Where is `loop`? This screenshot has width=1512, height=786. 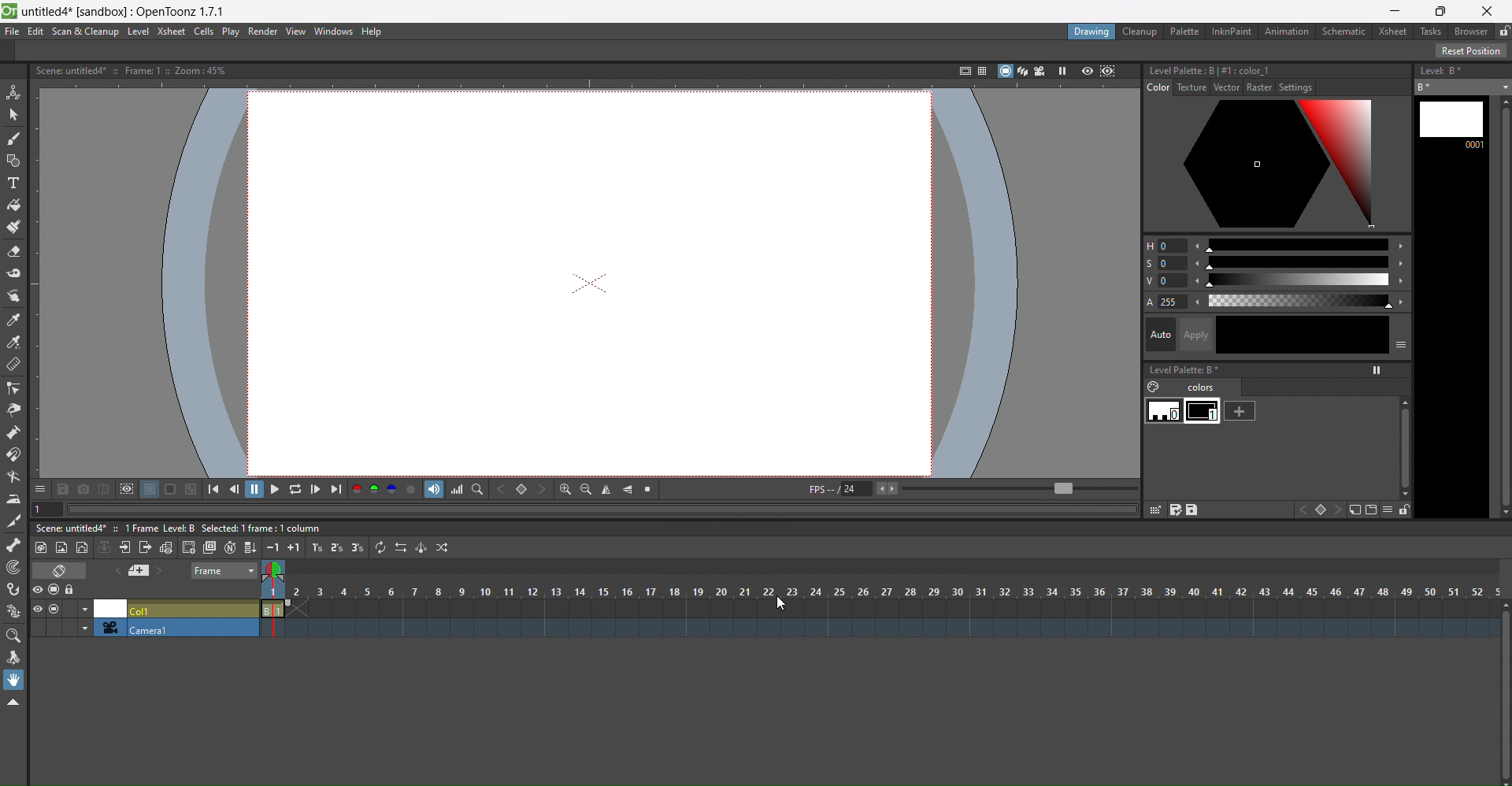
loop is located at coordinates (295, 488).